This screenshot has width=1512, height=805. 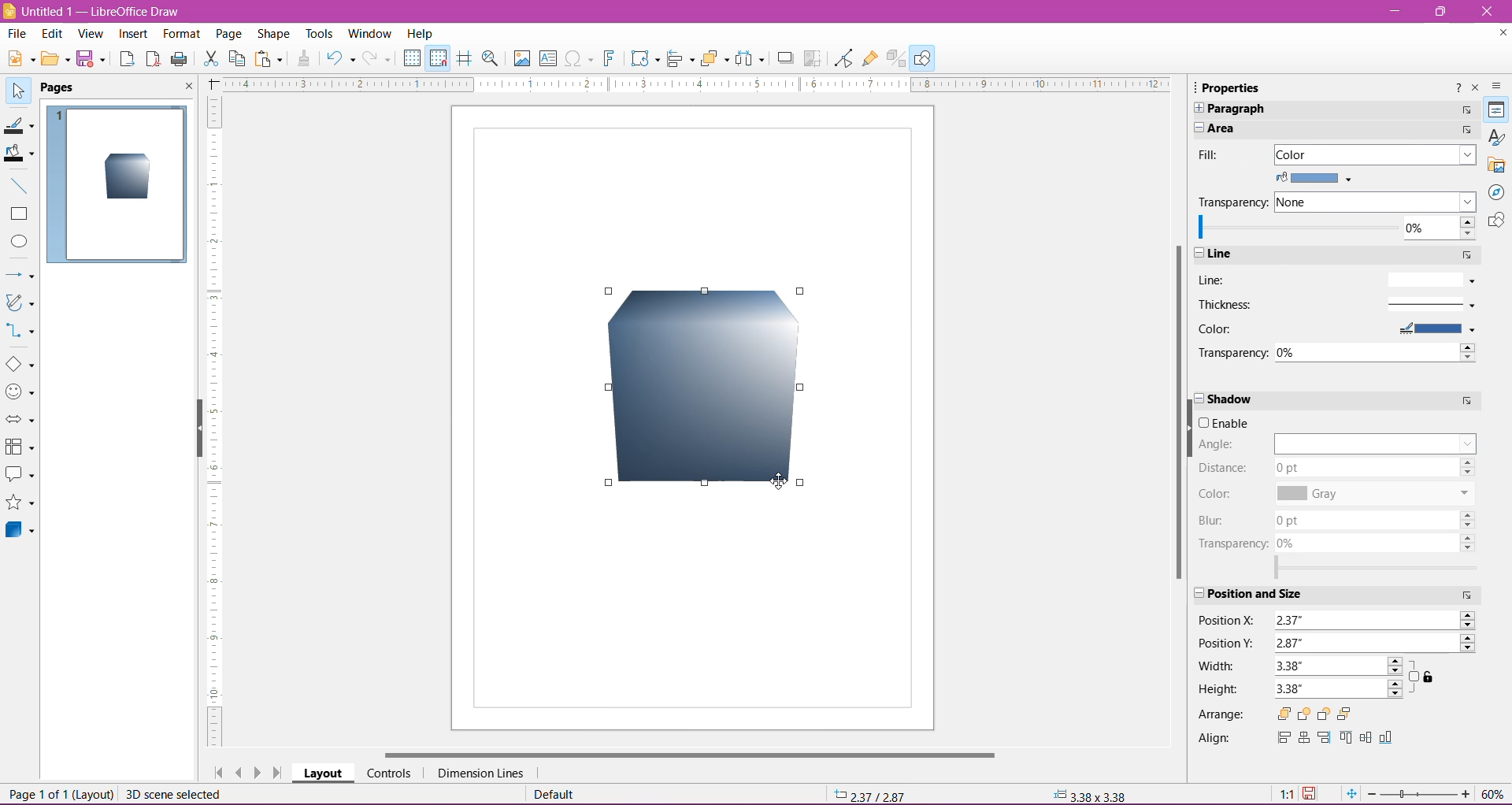 I want to click on Shadow, so click(x=785, y=59).